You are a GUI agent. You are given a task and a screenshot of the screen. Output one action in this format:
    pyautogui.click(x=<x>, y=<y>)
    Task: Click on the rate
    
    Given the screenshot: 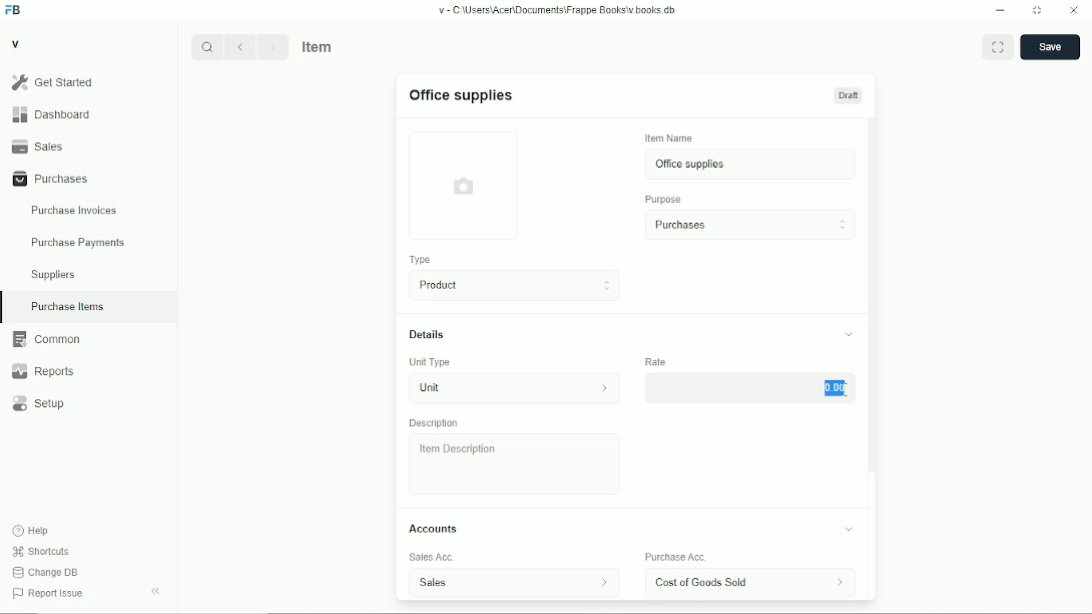 What is the action you would take?
    pyautogui.click(x=655, y=361)
    